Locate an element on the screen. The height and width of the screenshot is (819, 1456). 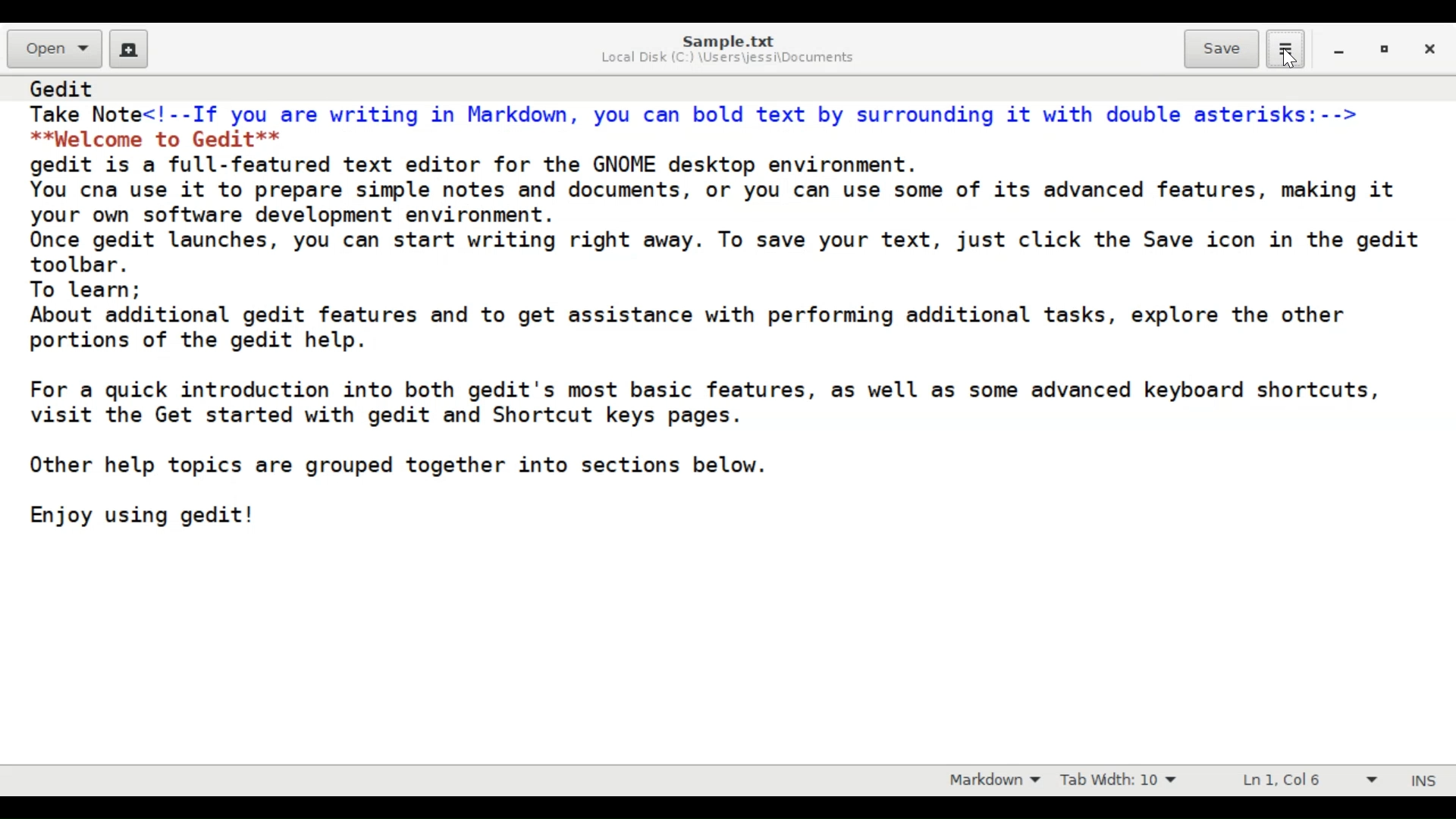
Line & Column Preference (Ln 1, Col 6) is located at coordinates (1301, 782).